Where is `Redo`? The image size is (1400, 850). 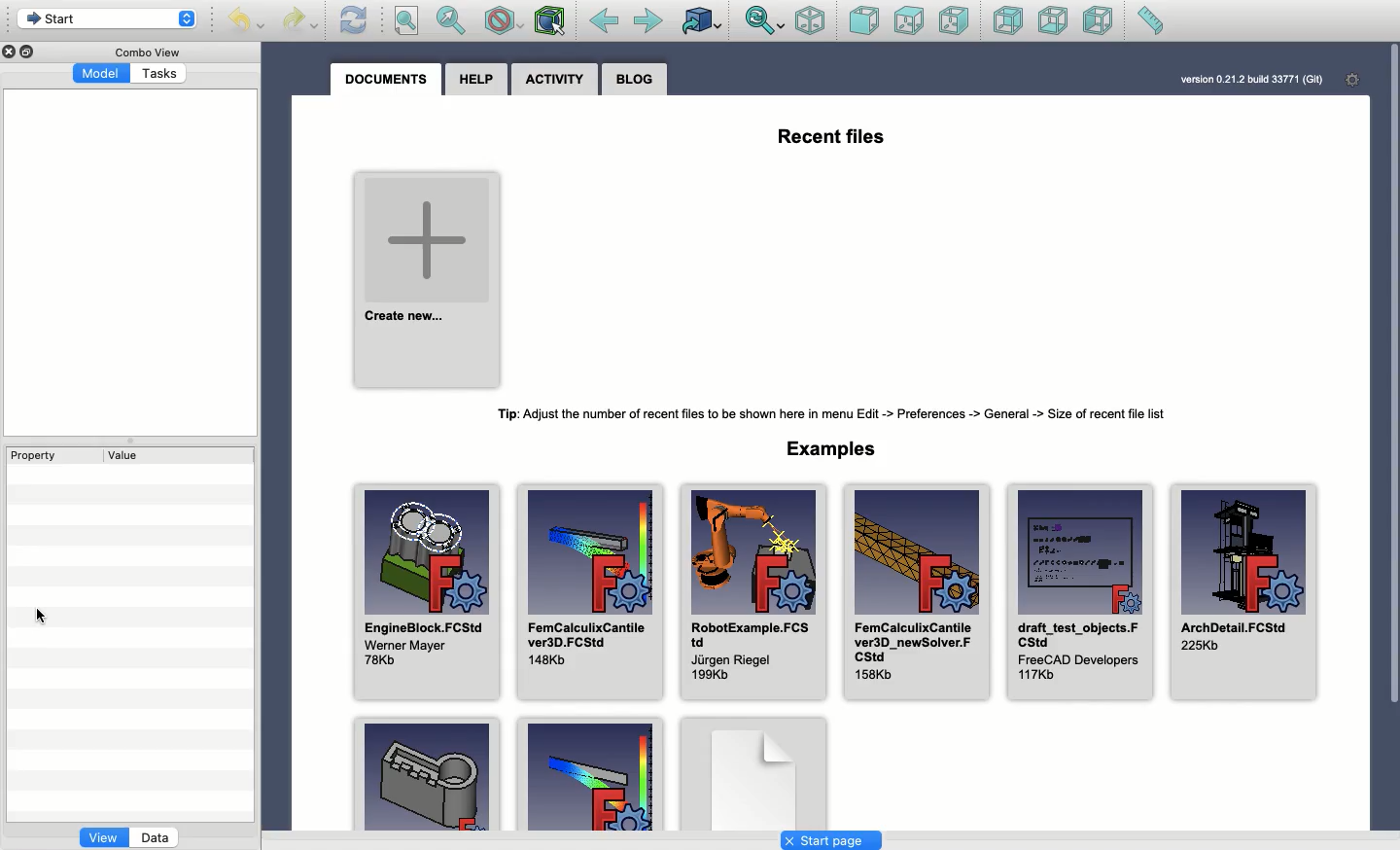
Redo is located at coordinates (303, 20).